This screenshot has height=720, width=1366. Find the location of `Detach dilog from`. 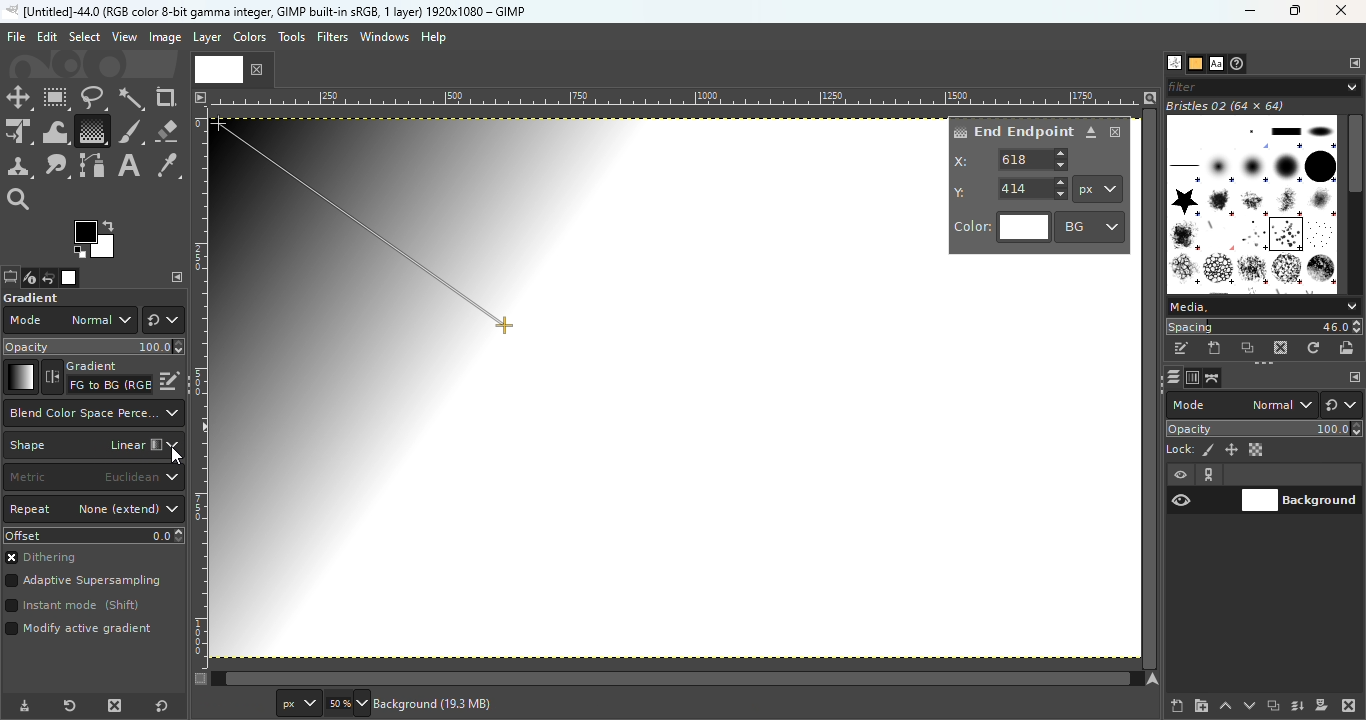

Detach dilog from is located at coordinates (1092, 133).